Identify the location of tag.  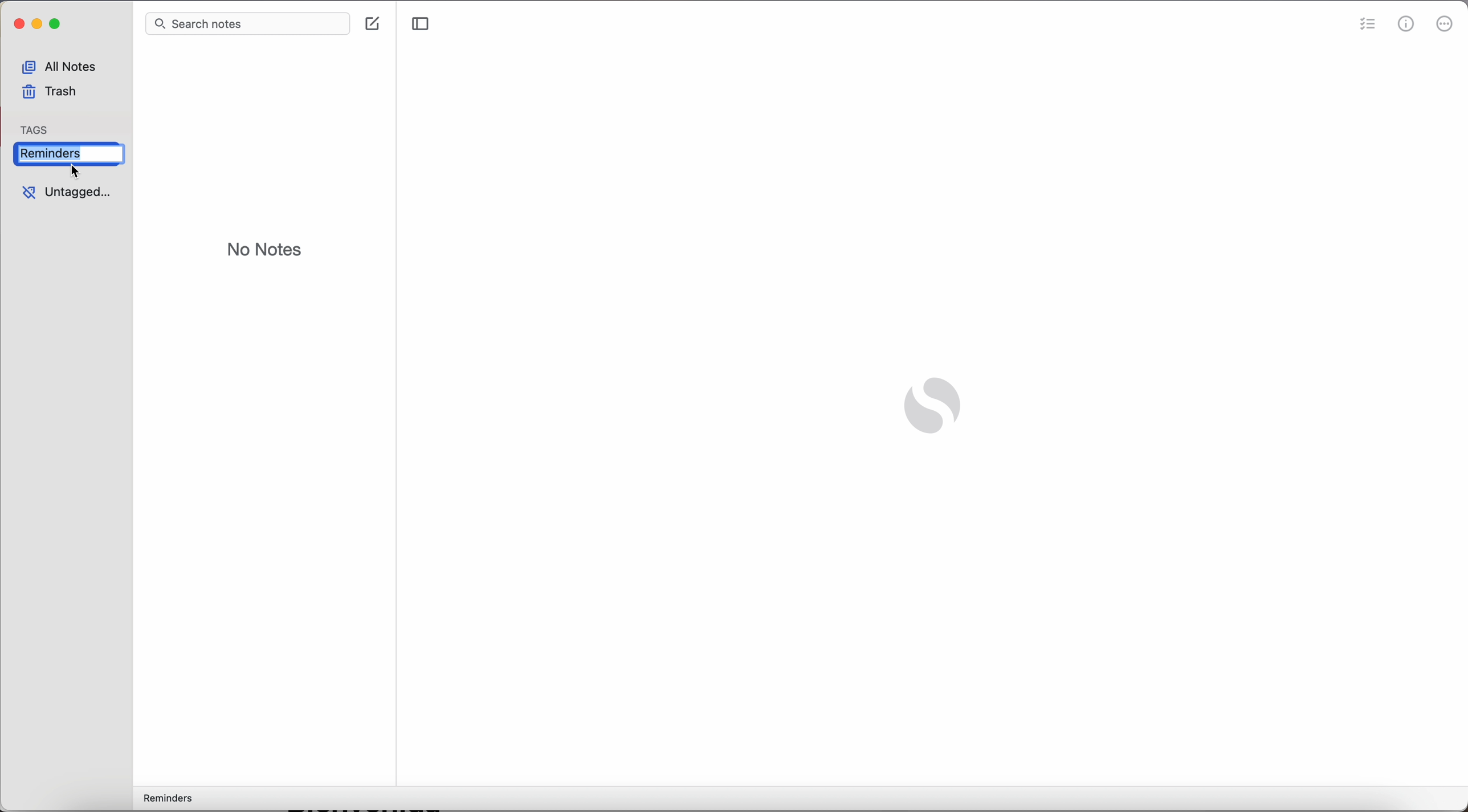
(36, 126).